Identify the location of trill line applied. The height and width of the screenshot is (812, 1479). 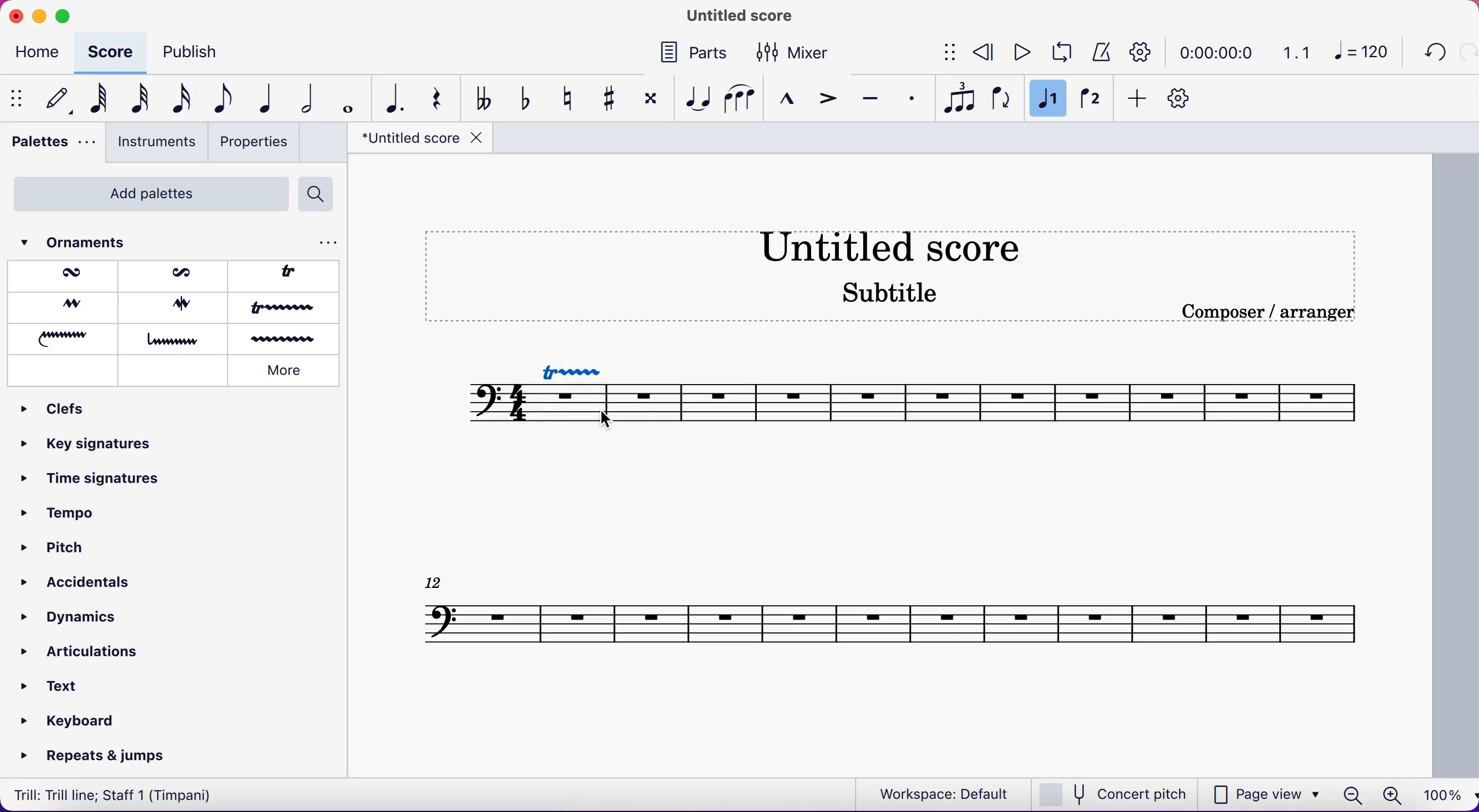
(581, 370).